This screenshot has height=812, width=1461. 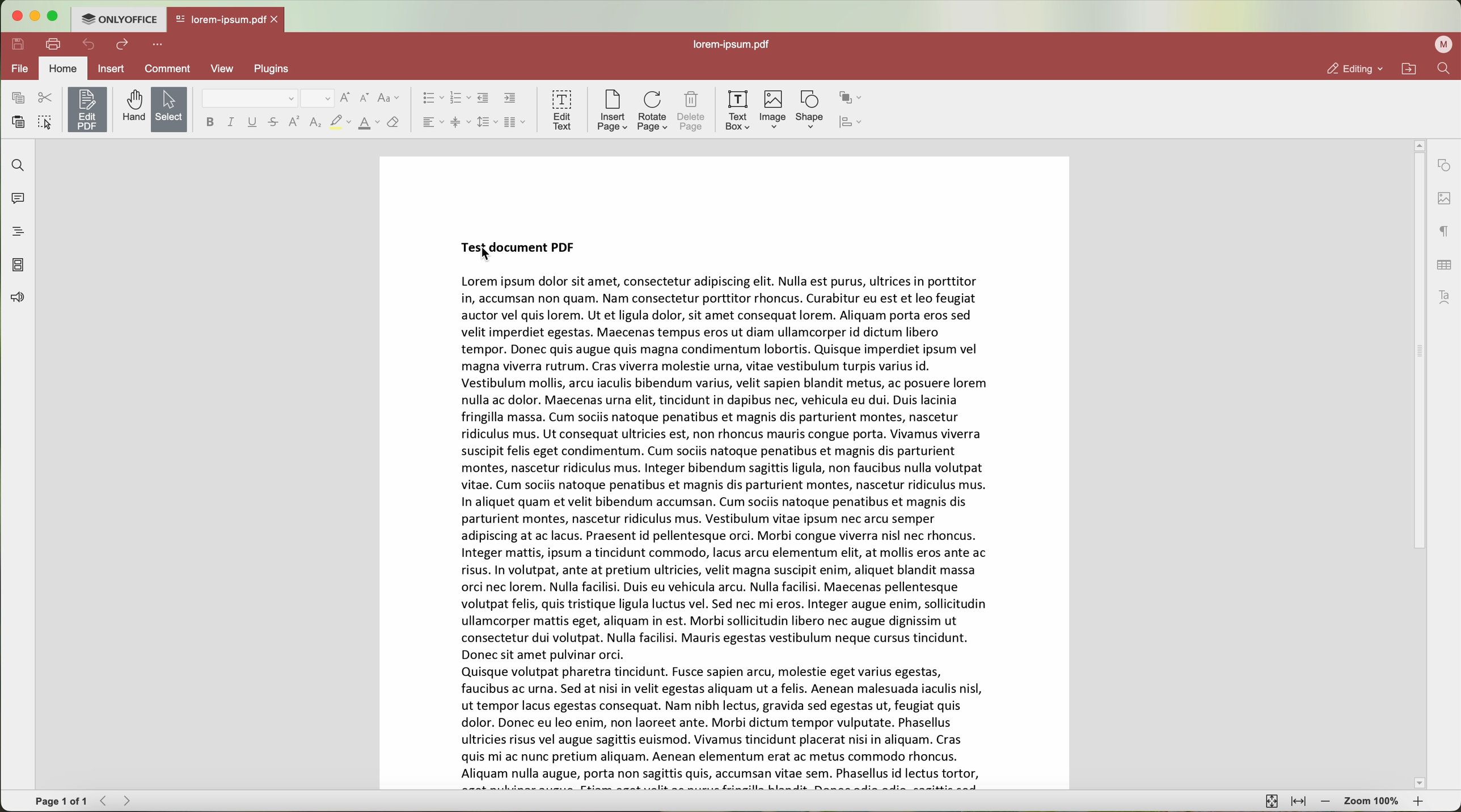 I want to click on close program, so click(x=14, y=16).